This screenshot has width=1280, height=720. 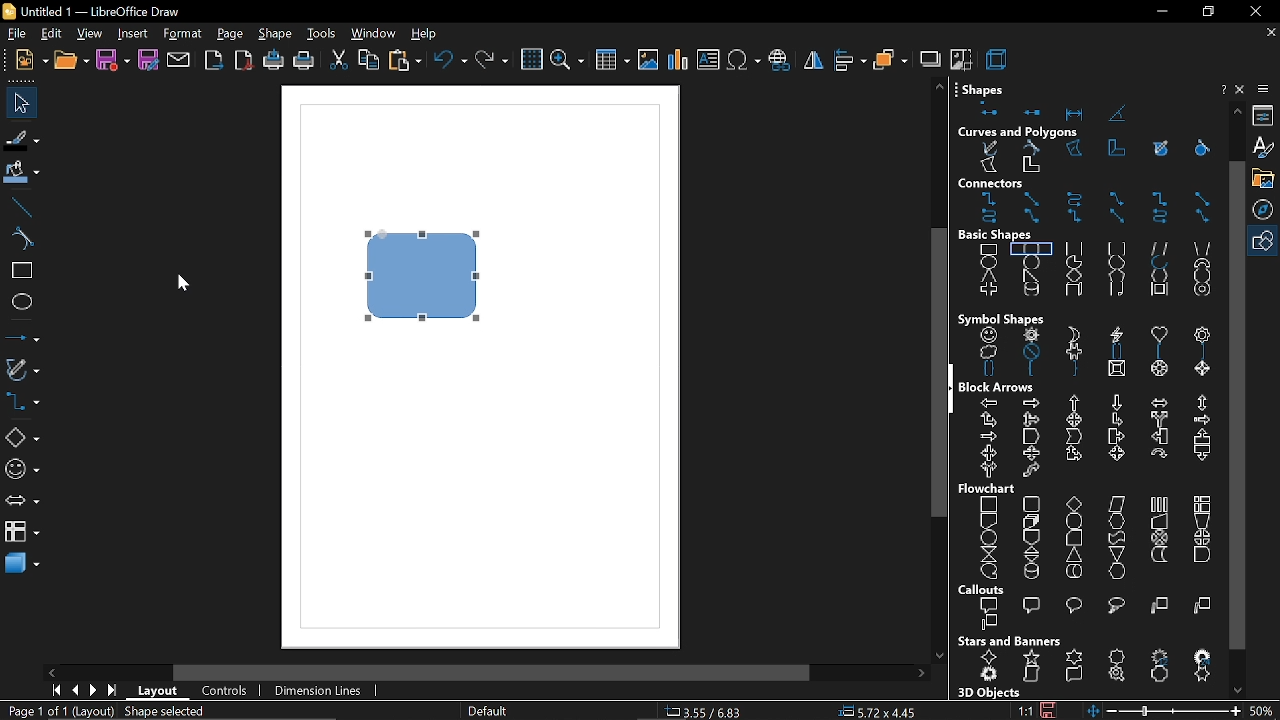 I want to click on save, so click(x=112, y=61).